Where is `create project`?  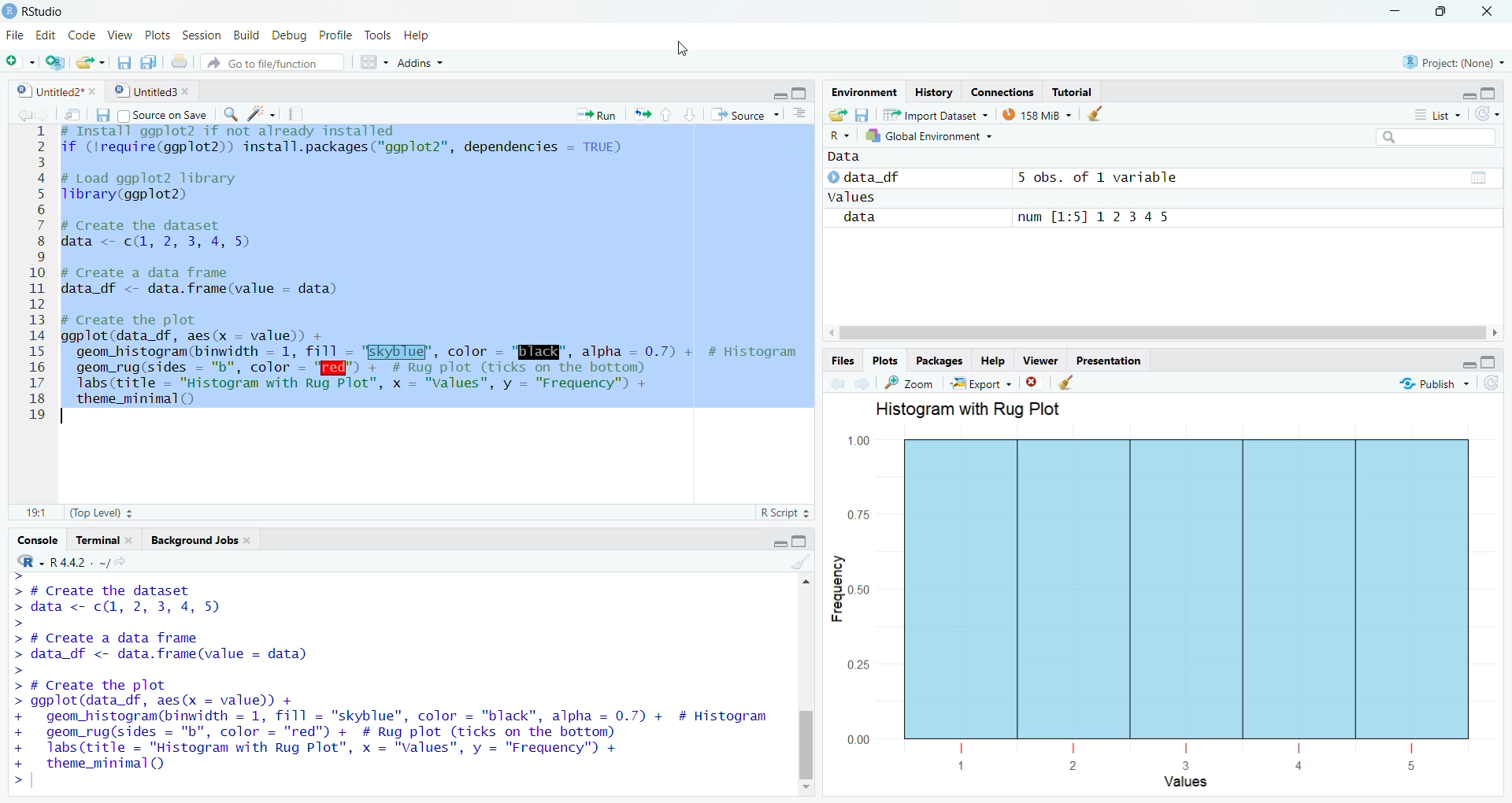 create project is located at coordinates (54, 62).